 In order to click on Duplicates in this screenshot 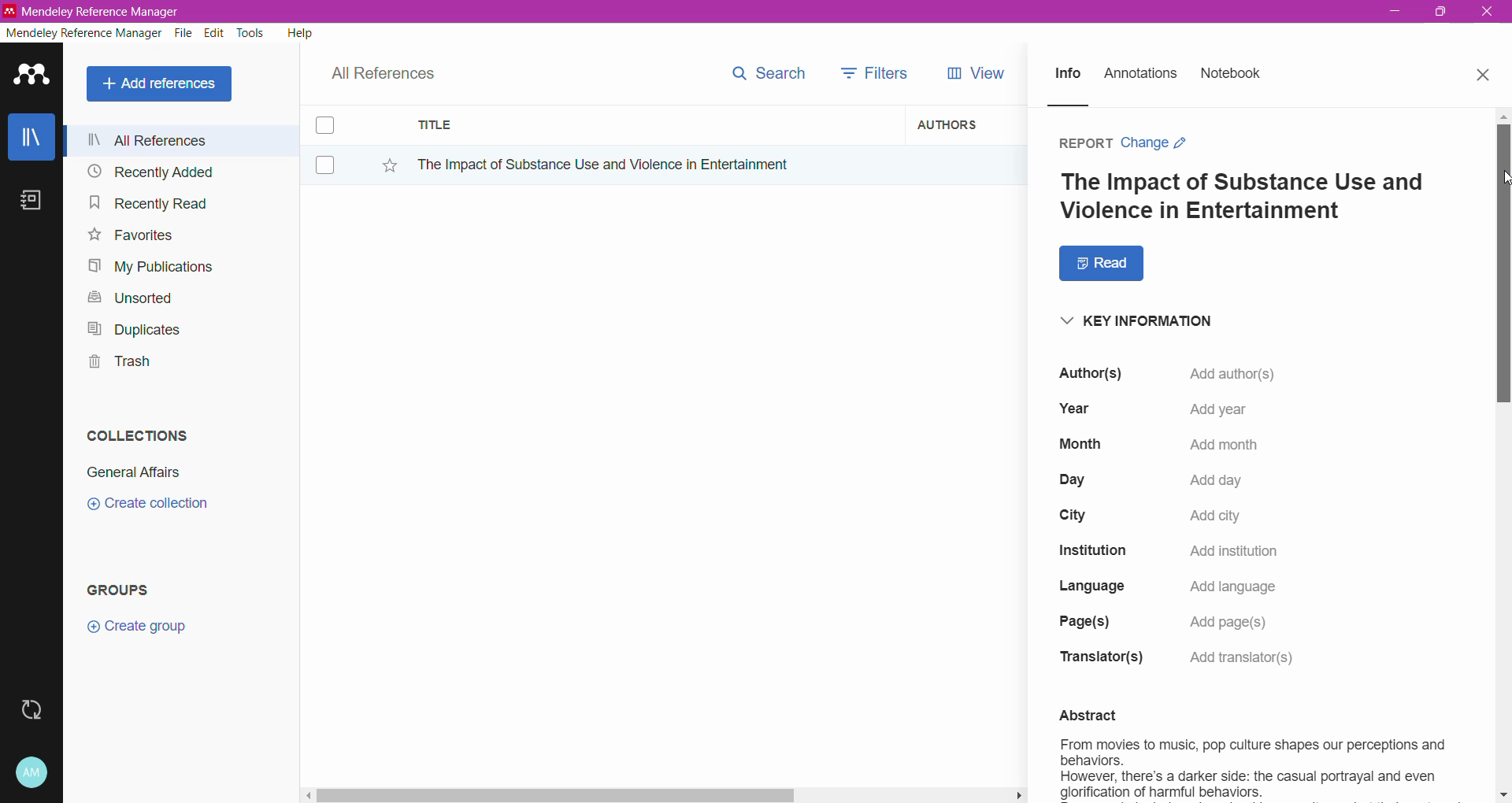, I will do `click(129, 327)`.